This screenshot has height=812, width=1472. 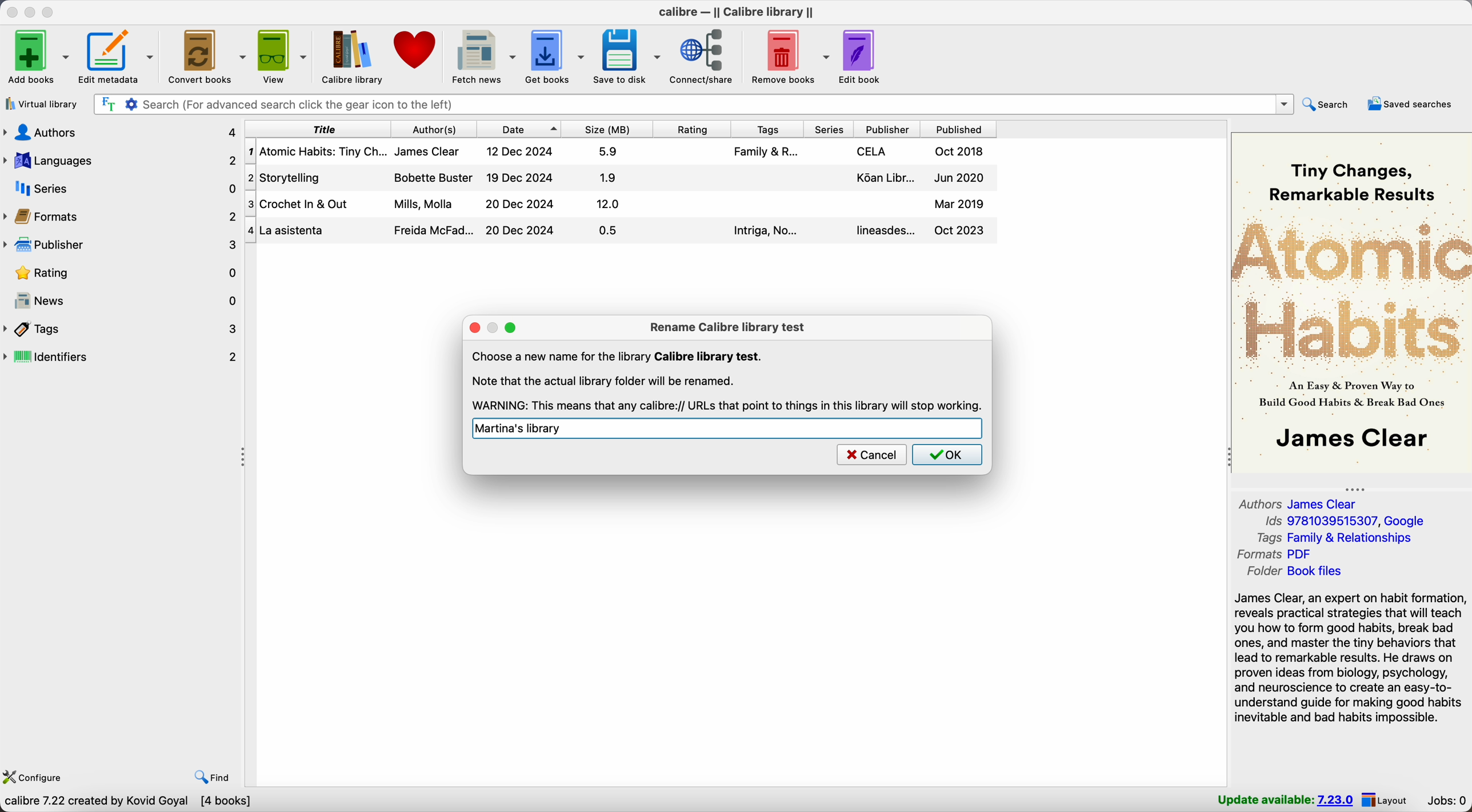 What do you see at coordinates (118, 57) in the screenshot?
I see `edit metadata` at bounding box center [118, 57].